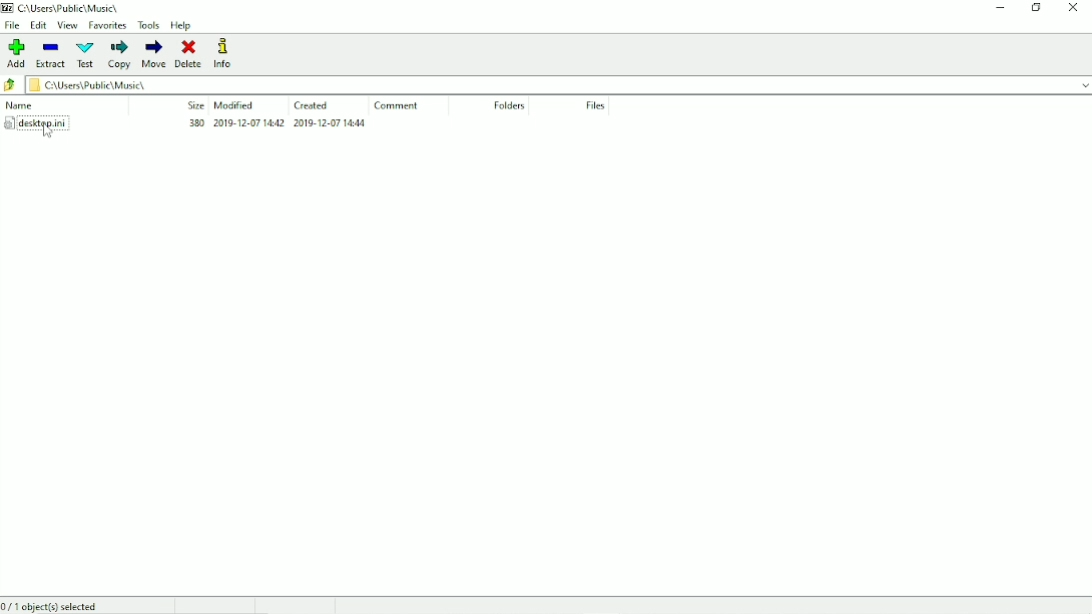  I want to click on Size, so click(192, 105).